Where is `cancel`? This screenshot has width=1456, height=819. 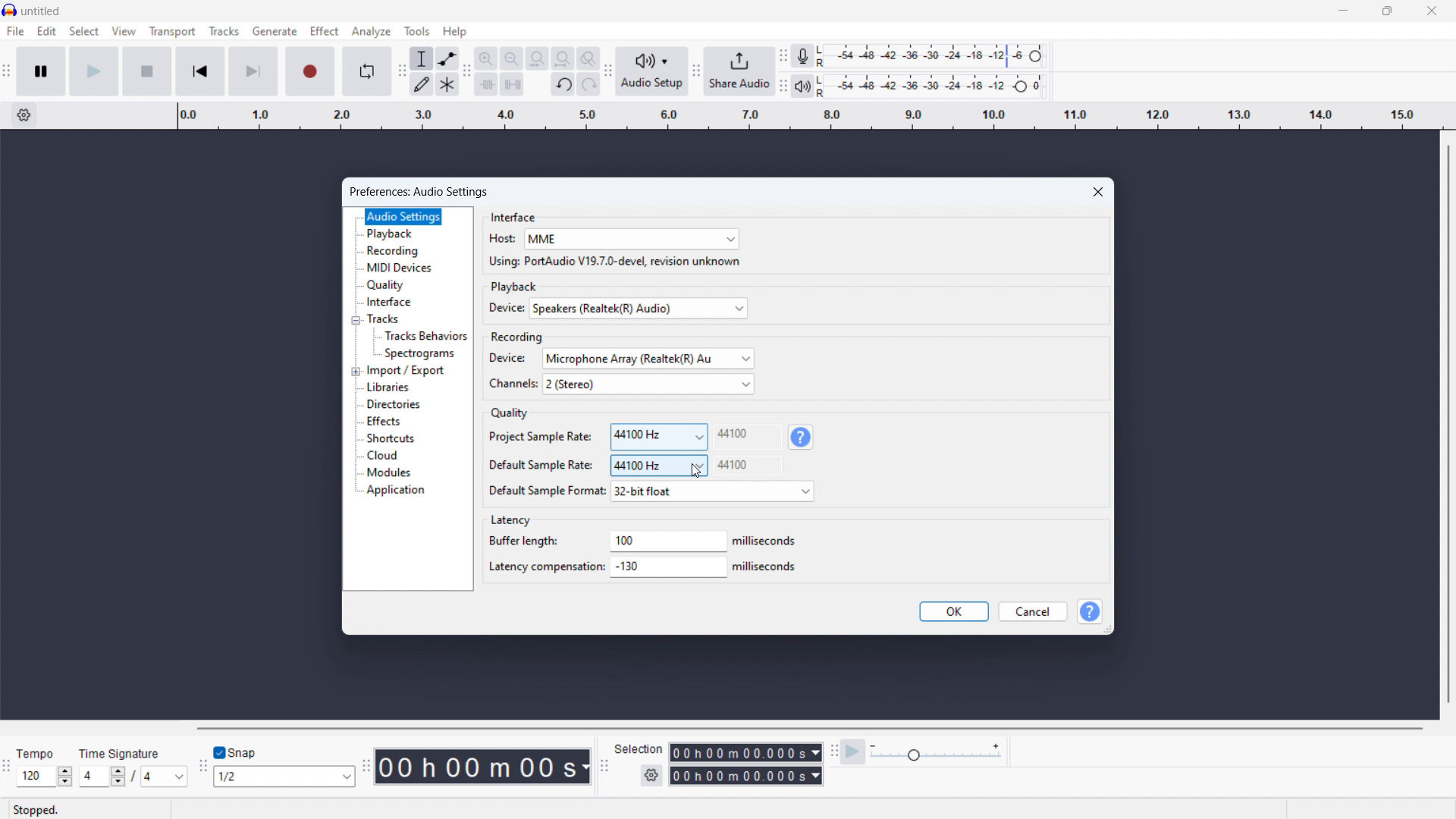
cancel is located at coordinates (1031, 612).